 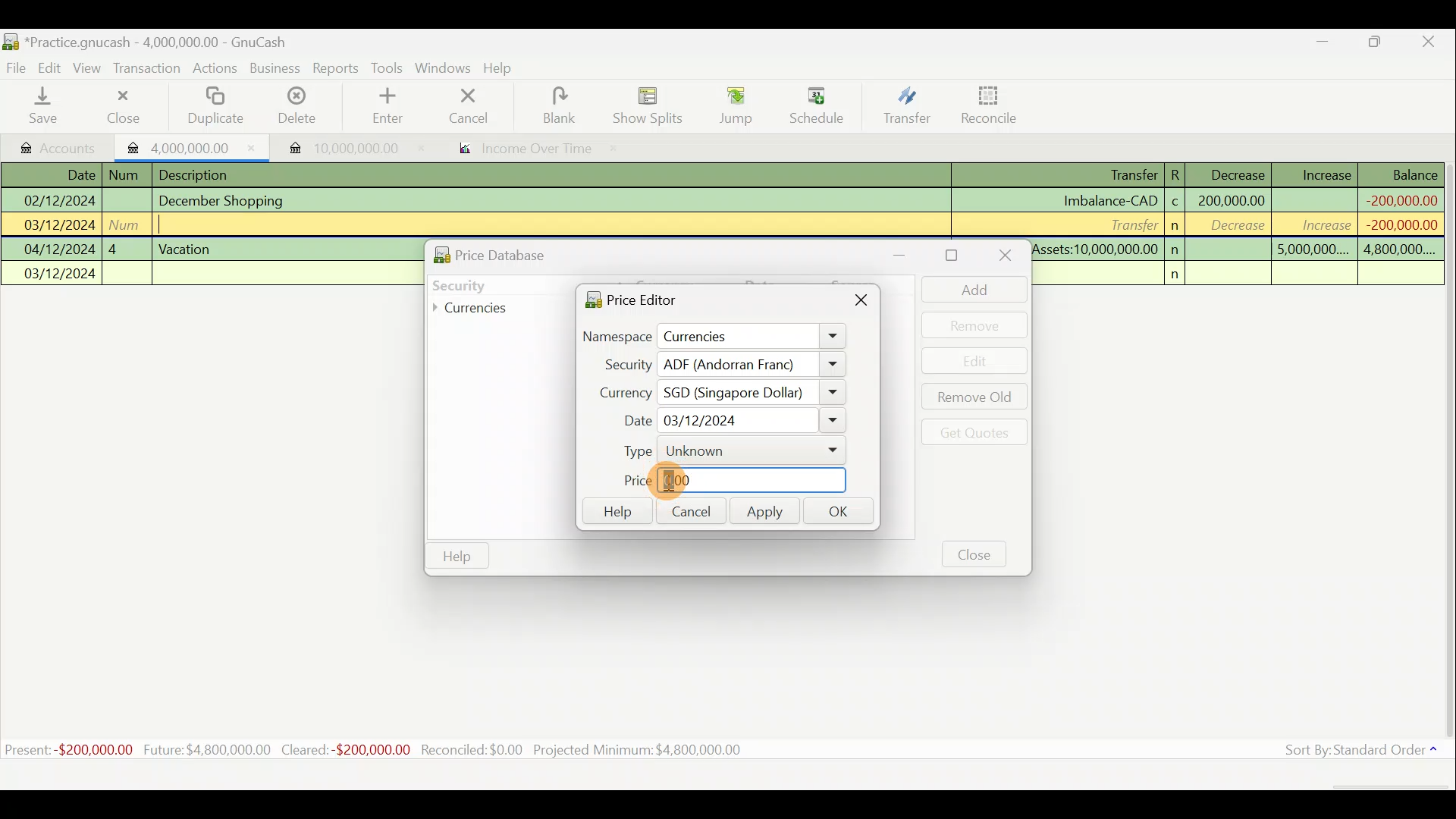 What do you see at coordinates (649, 105) in the screenshot?
I see `Show splits` at bounding box center [649, 105].